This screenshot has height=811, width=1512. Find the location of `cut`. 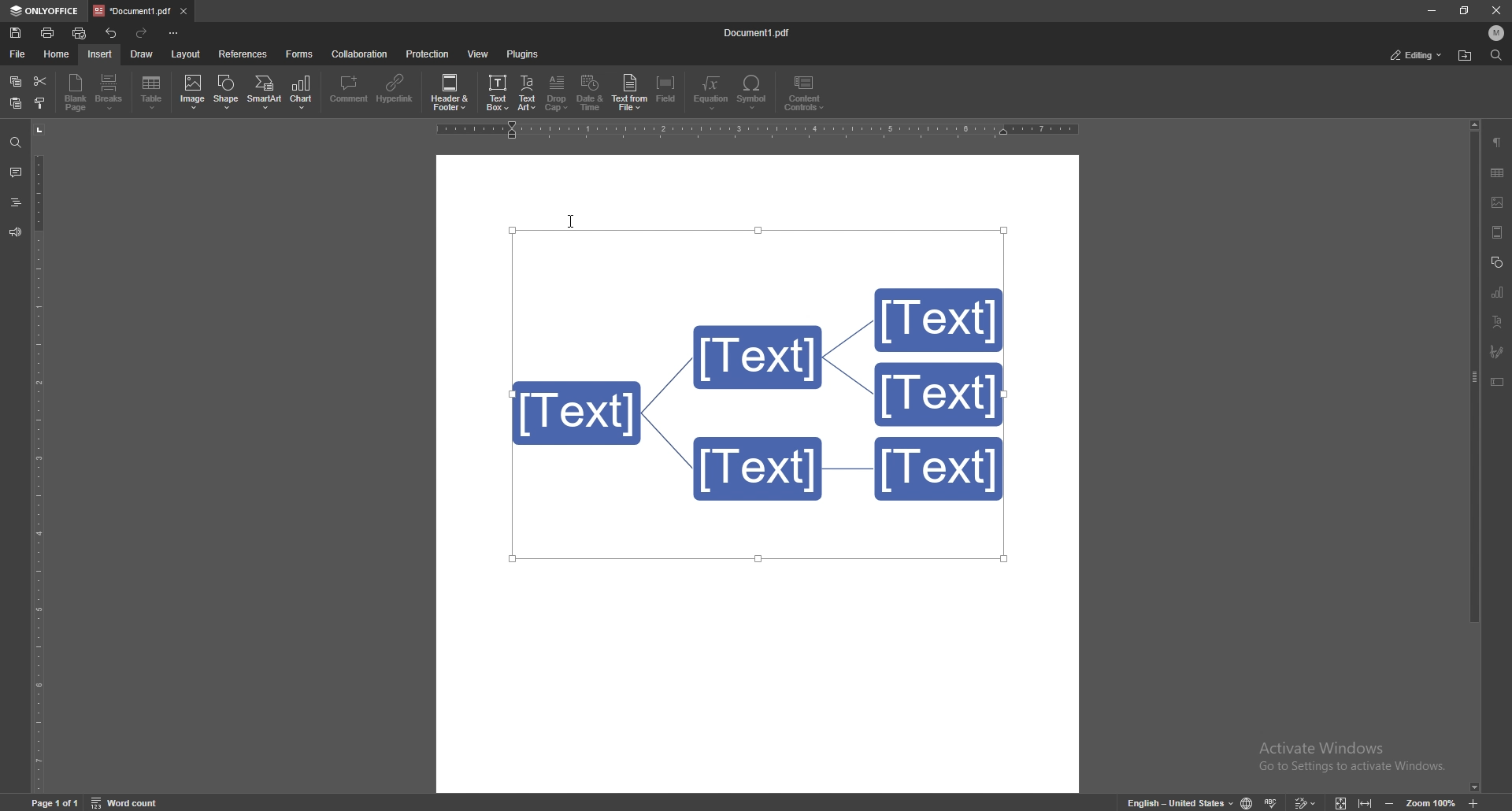

cut is located at coordinates (41, 81).